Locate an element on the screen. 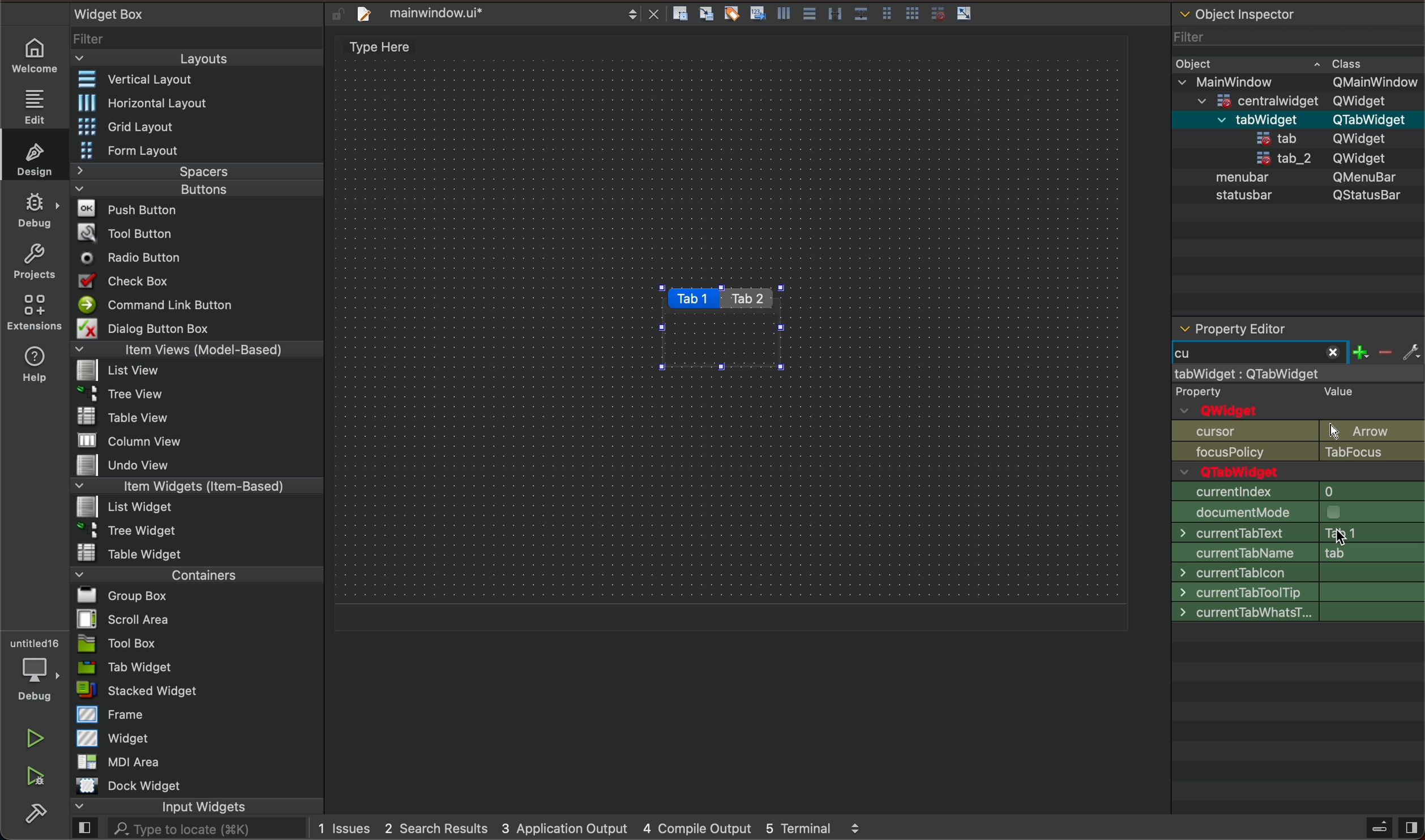  help is located at coordinates (37, 362).